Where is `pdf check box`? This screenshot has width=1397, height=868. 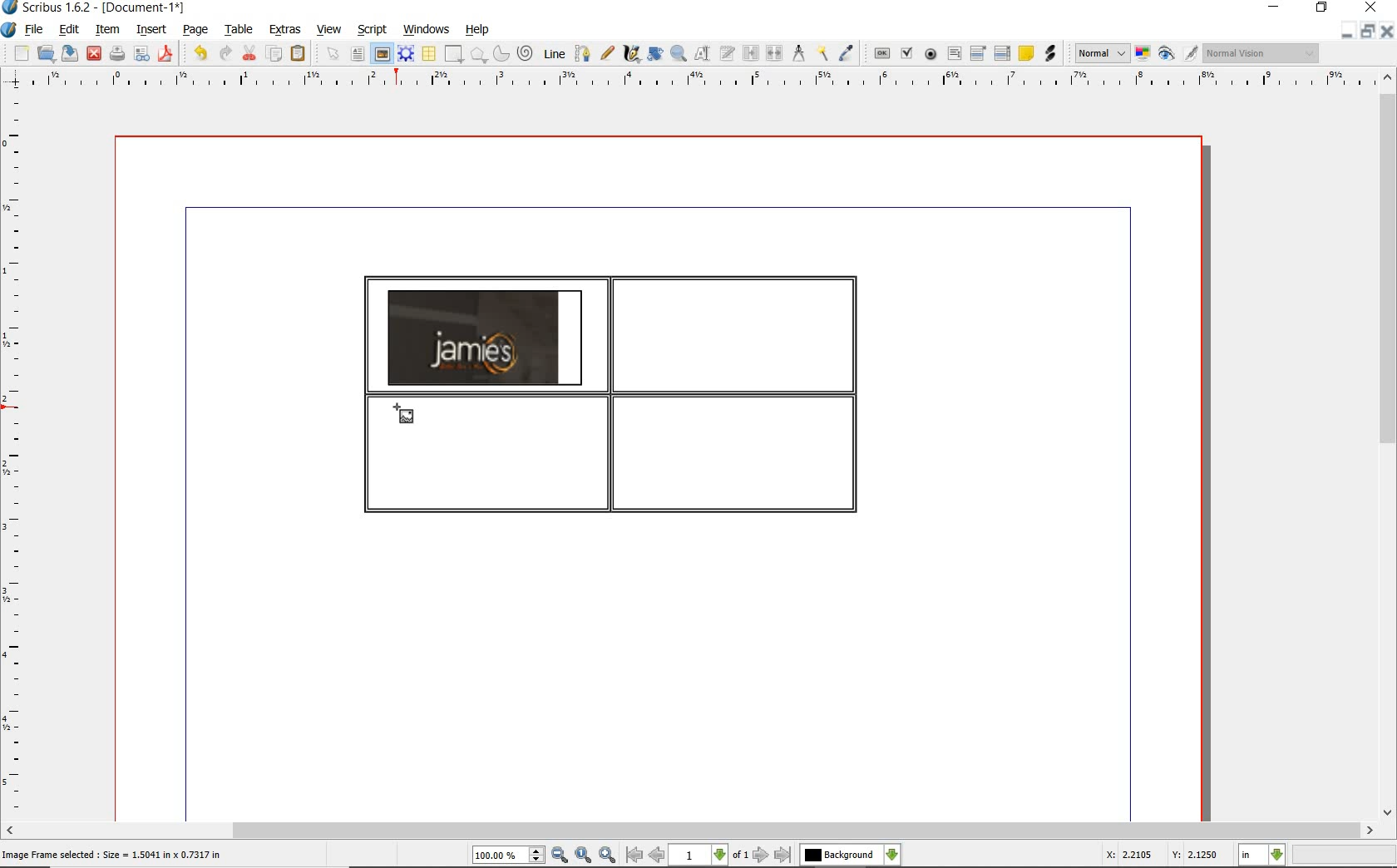 pdf check box is located at coordinates (909, 55).